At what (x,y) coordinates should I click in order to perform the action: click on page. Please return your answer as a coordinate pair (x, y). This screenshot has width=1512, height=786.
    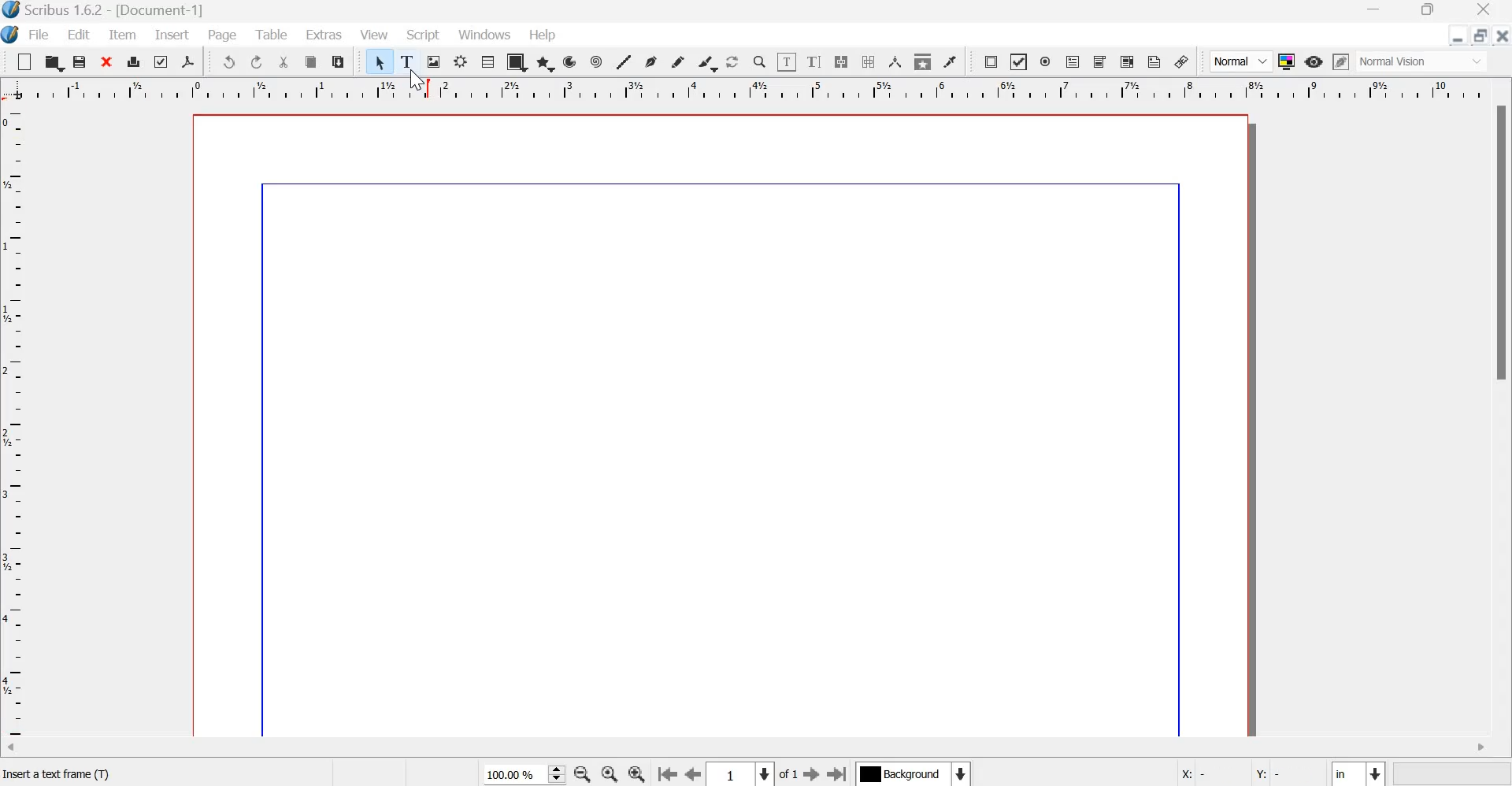
    Looking at the image, I should click on (224, 36).